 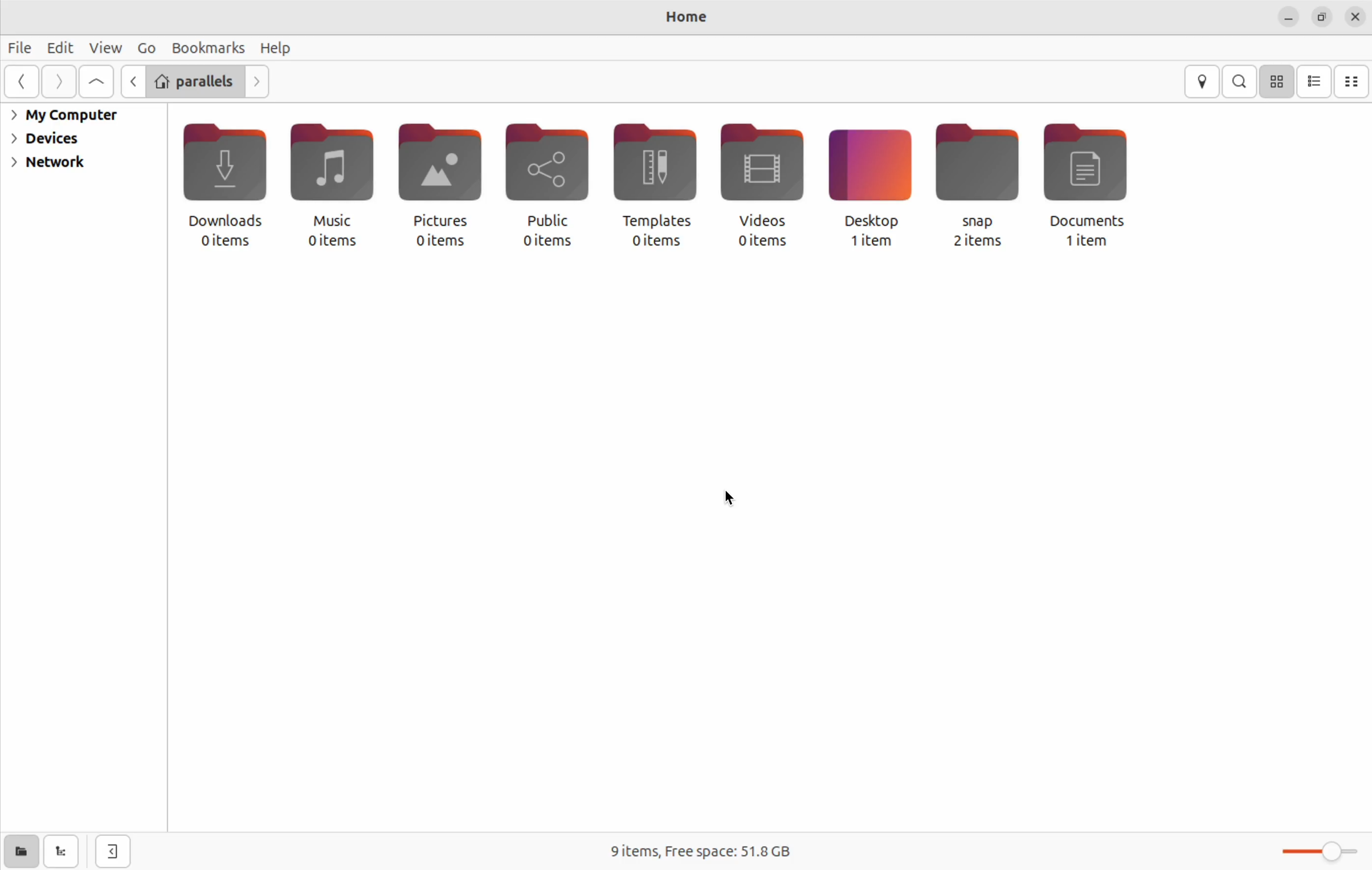 What do you see at coordinates (96, 83) in the screenshot?
I see `Goto first page` at bounding box center [96, 83].